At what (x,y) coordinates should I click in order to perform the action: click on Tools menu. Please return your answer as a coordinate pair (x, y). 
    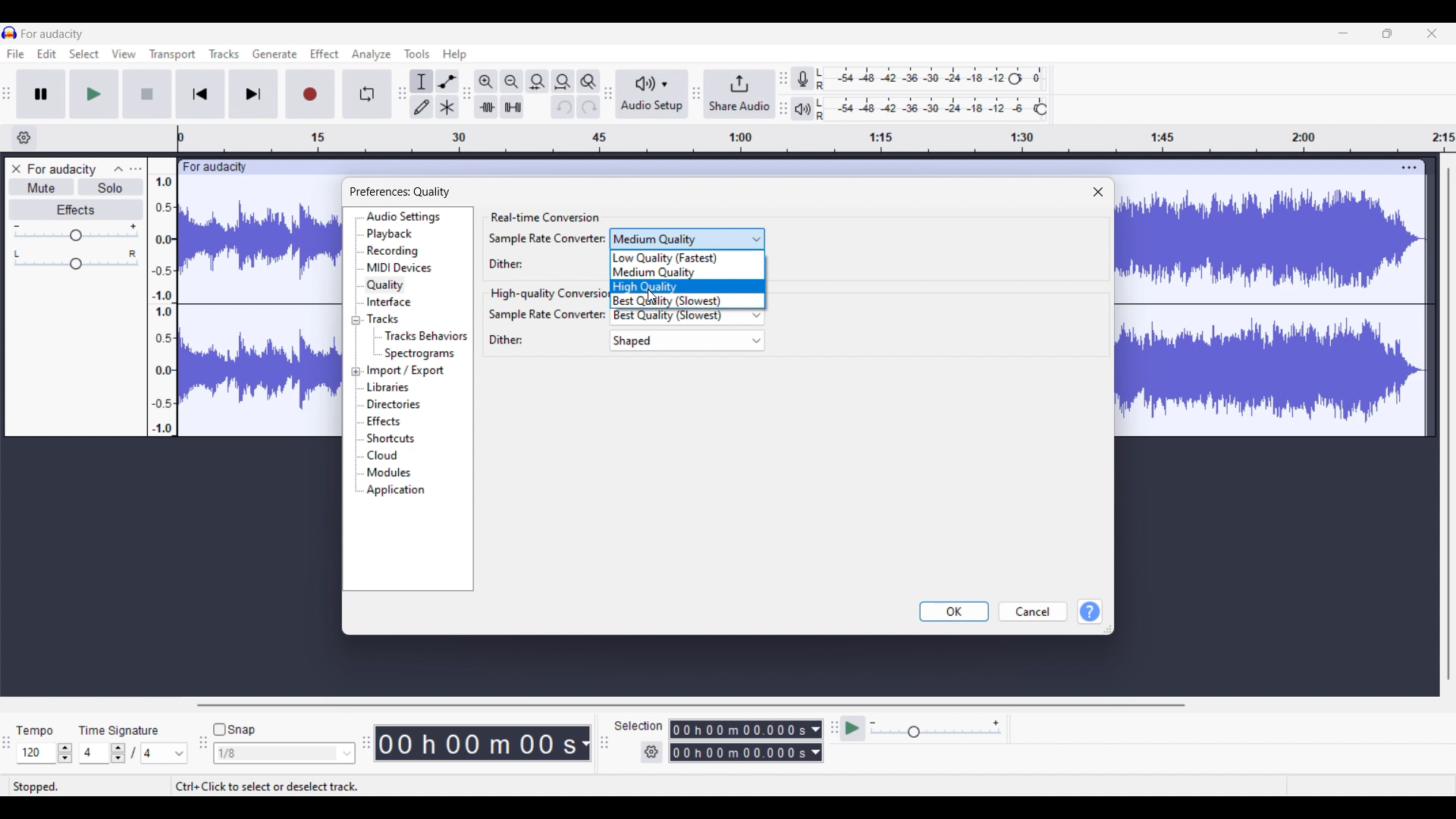
    Looking at the image, I should click on (416, 54).